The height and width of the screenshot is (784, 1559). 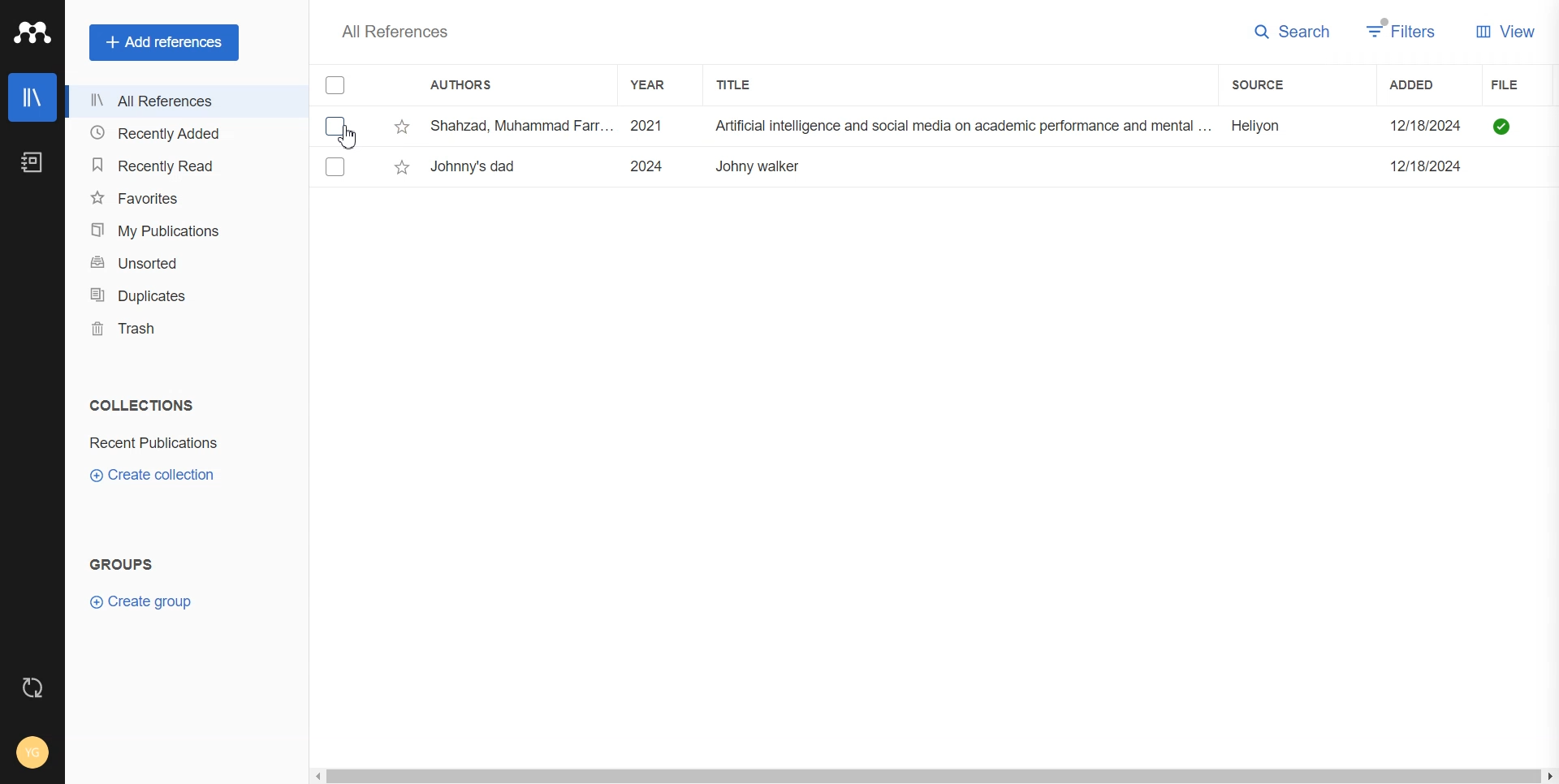 I want to click on Recently Added, so click(x=181, y=134).